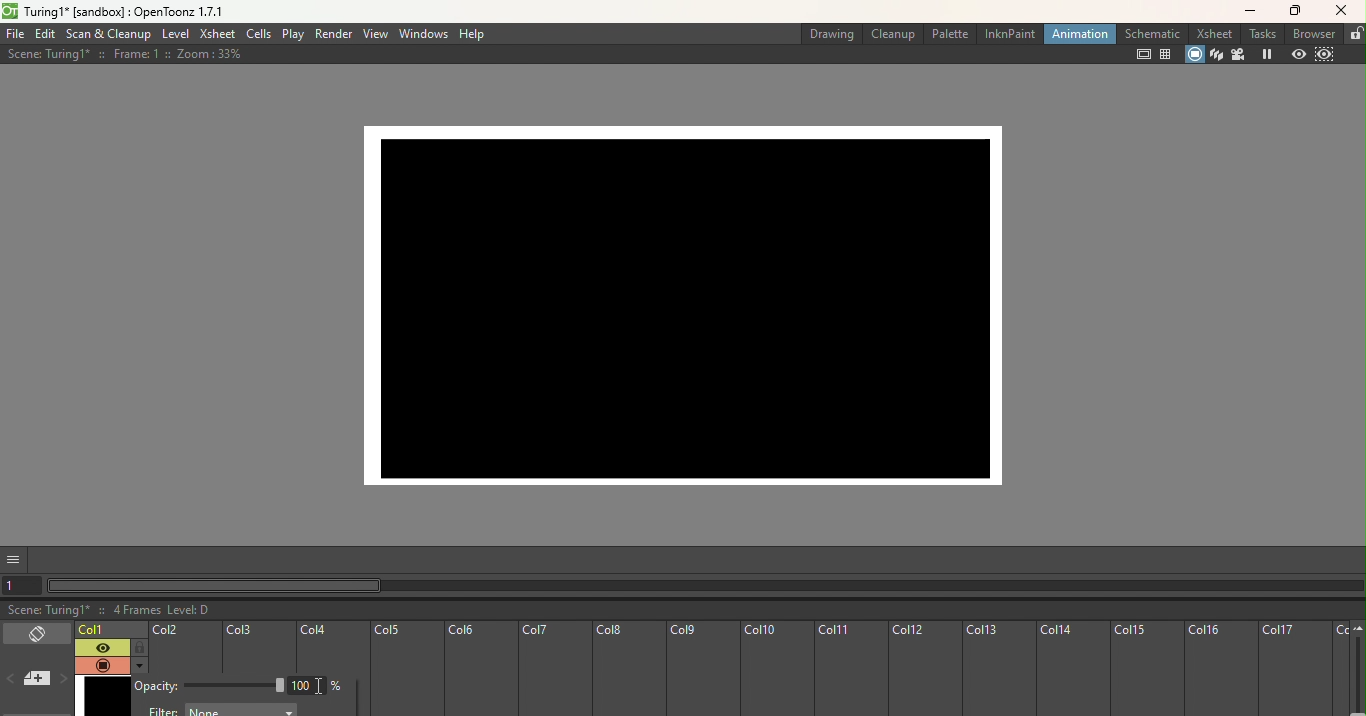  I want to click on Horizontal scroll bar, so click(706, 587).